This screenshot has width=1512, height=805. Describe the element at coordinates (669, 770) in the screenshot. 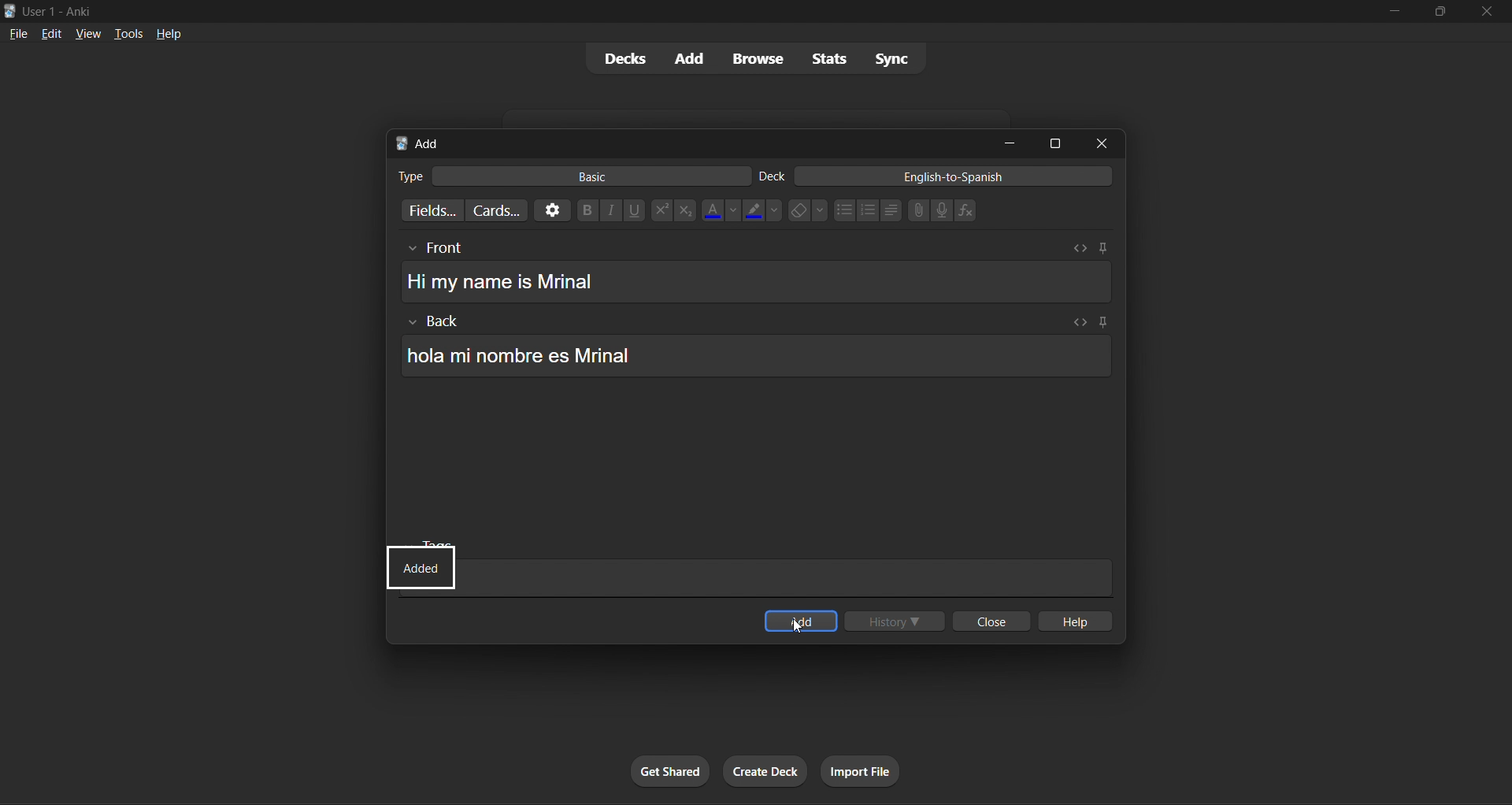

I see `get shared` at that location.